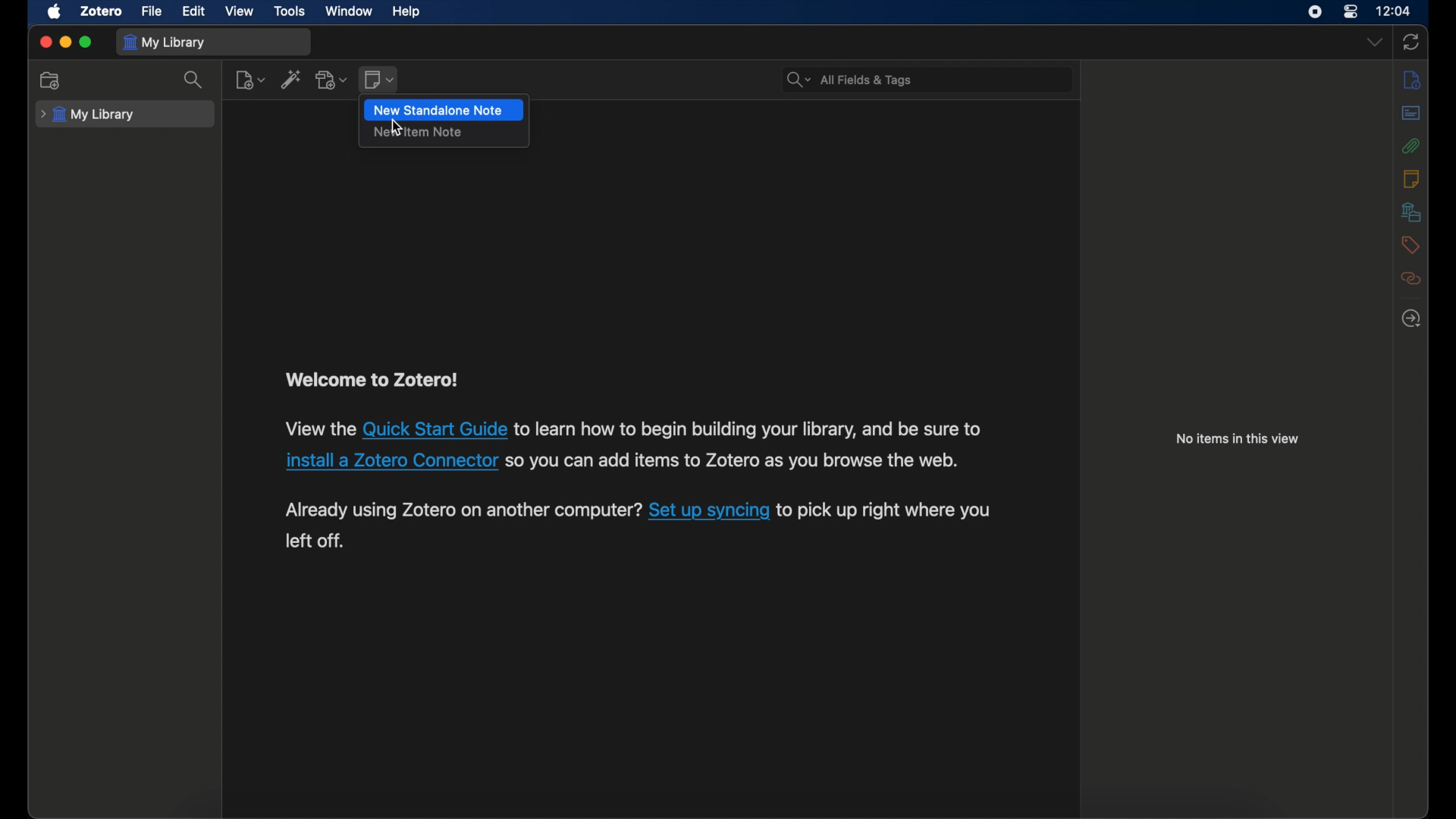 The width and height of the screenshot is (1456, 819). Describe the element at coordinates (101, 11) in the screenshot. I see `zotero` at that location.